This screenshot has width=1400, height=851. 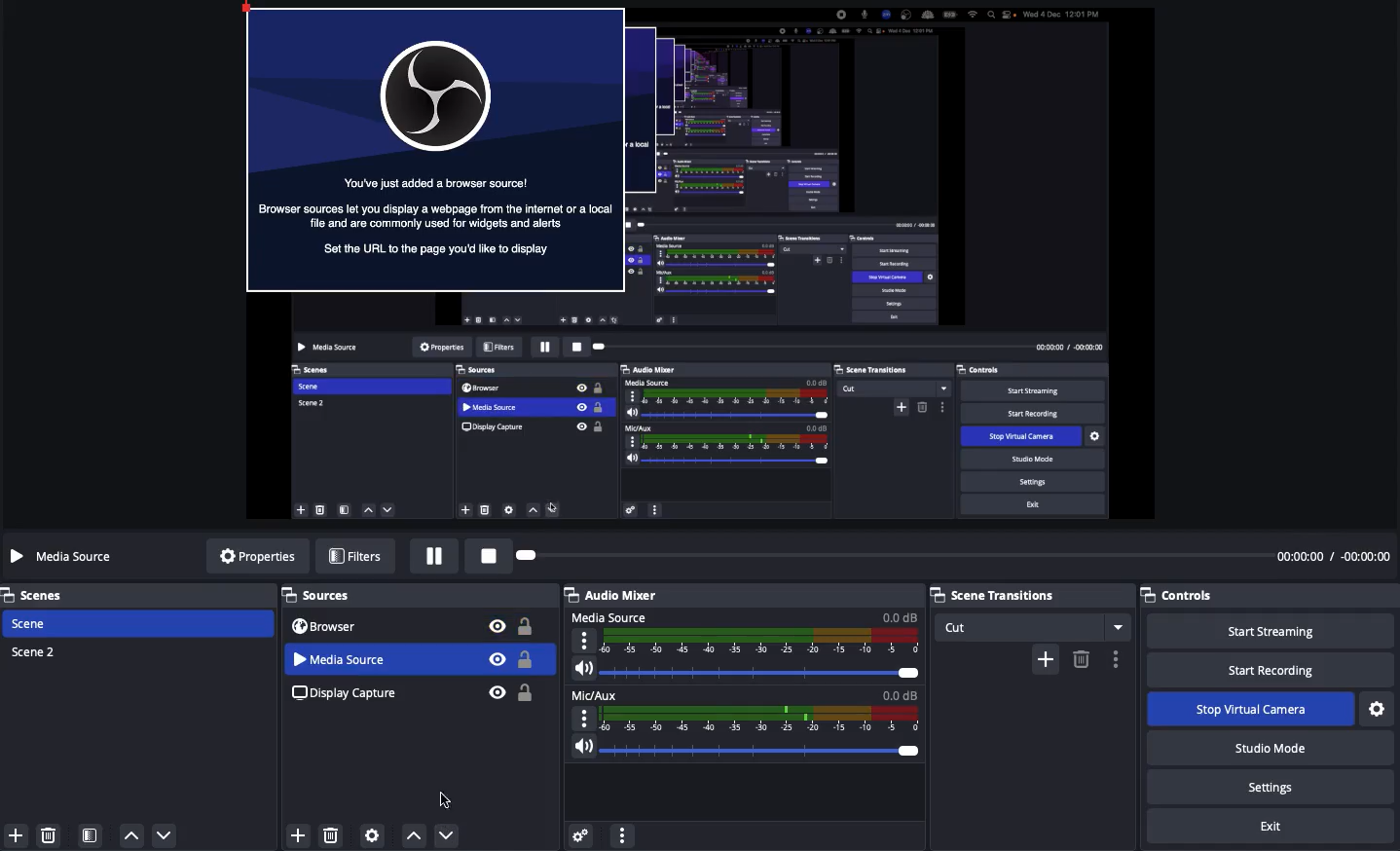 I want to click on Settings, so click(x=1380, y=706).